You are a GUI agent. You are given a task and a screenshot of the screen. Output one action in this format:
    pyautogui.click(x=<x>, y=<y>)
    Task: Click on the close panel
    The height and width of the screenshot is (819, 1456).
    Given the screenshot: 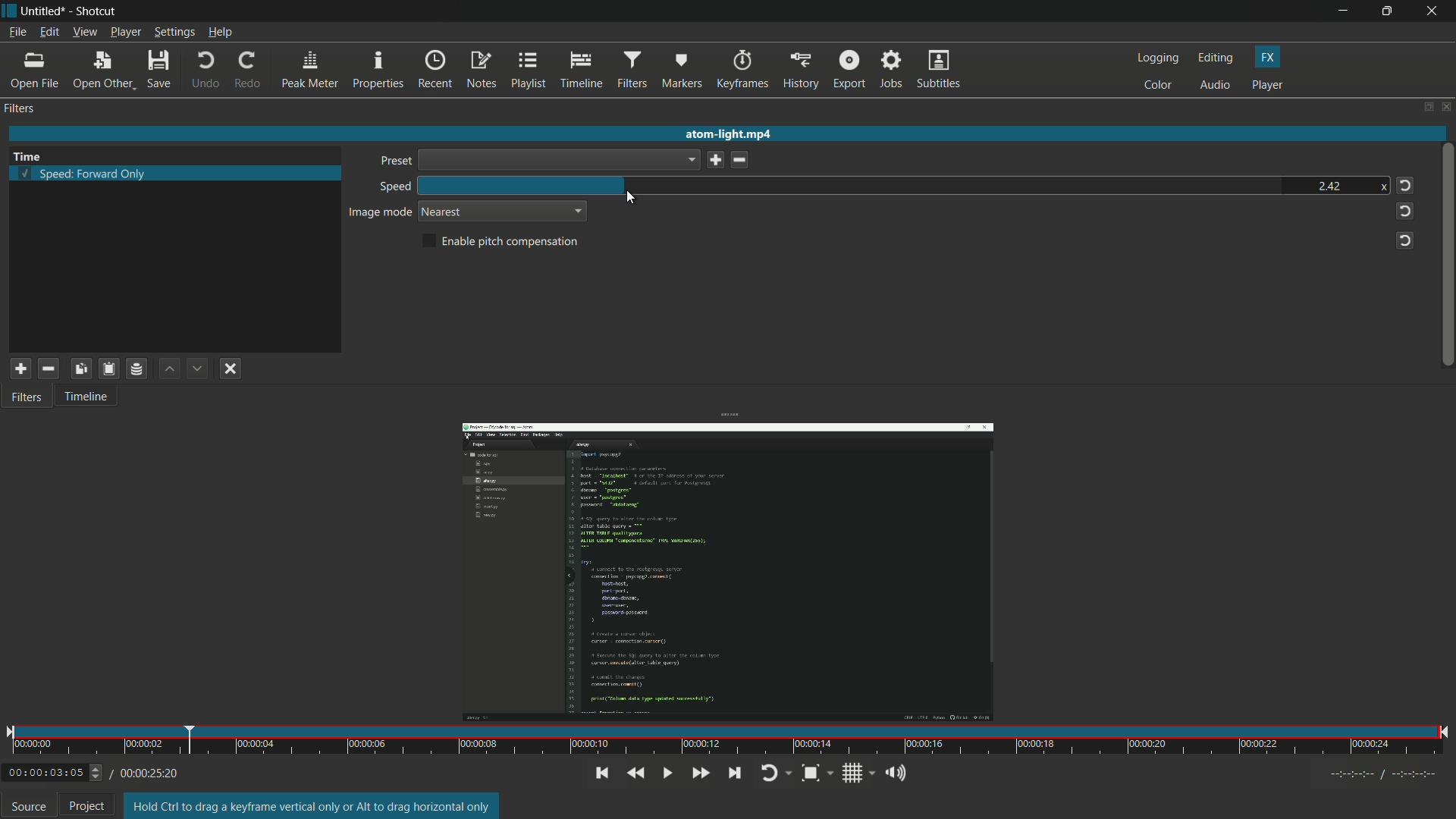 What is the action you would take?
    pyautogui.click(x=1447, y=106)
    